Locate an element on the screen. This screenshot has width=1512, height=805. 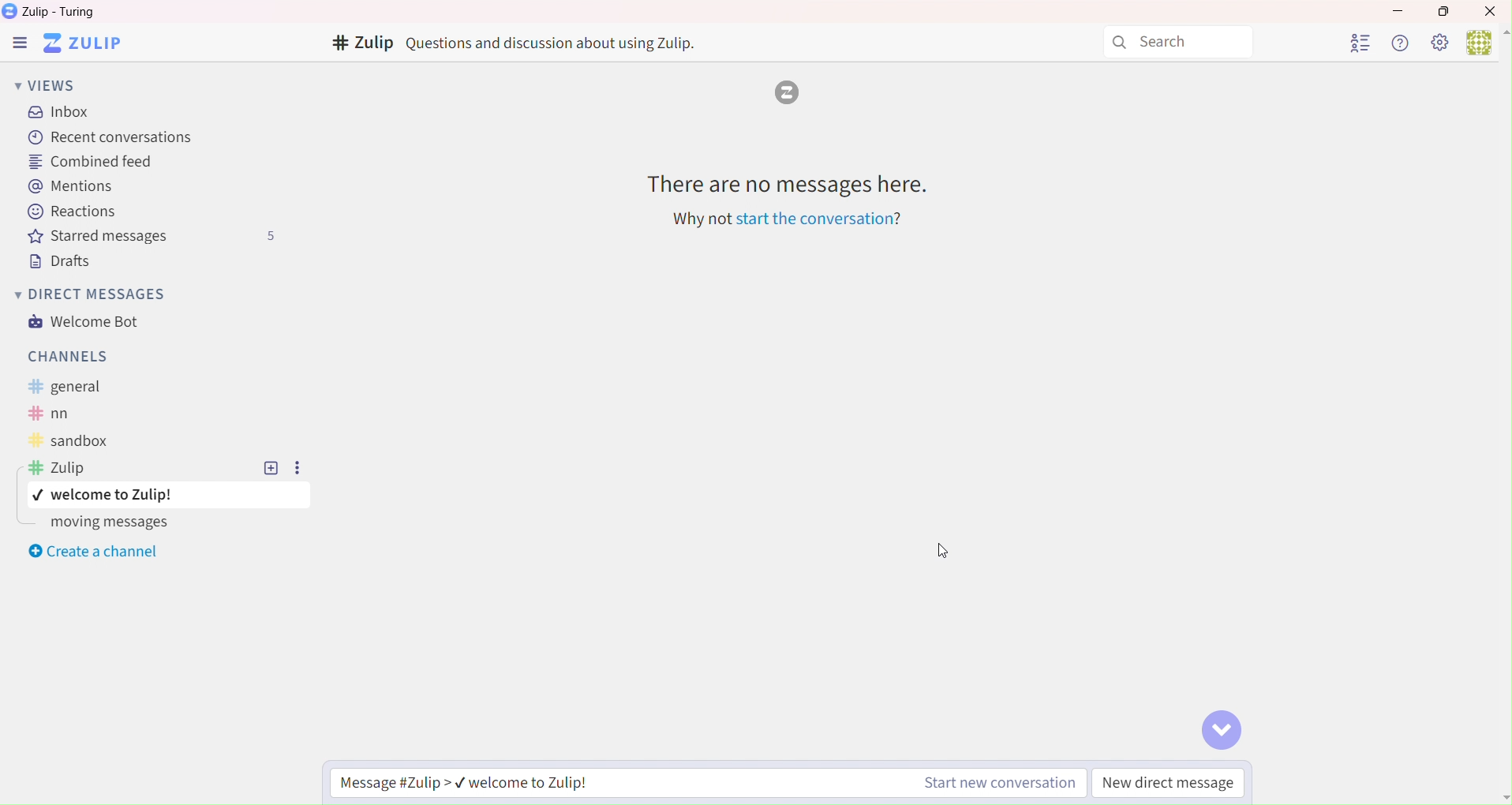
Text is located at coordinates (62, 12).